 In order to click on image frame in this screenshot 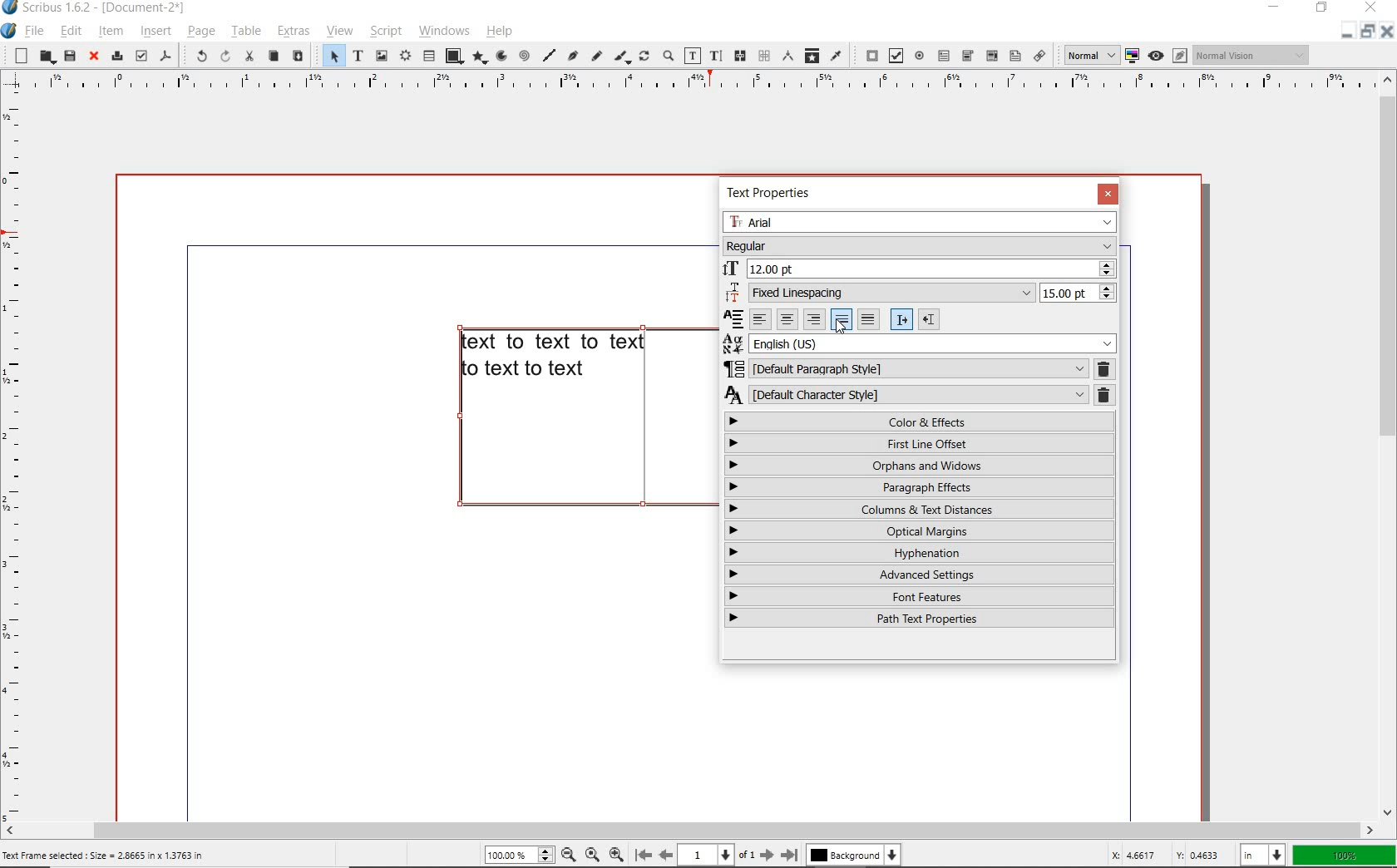, I will do `click(381, 56)`.